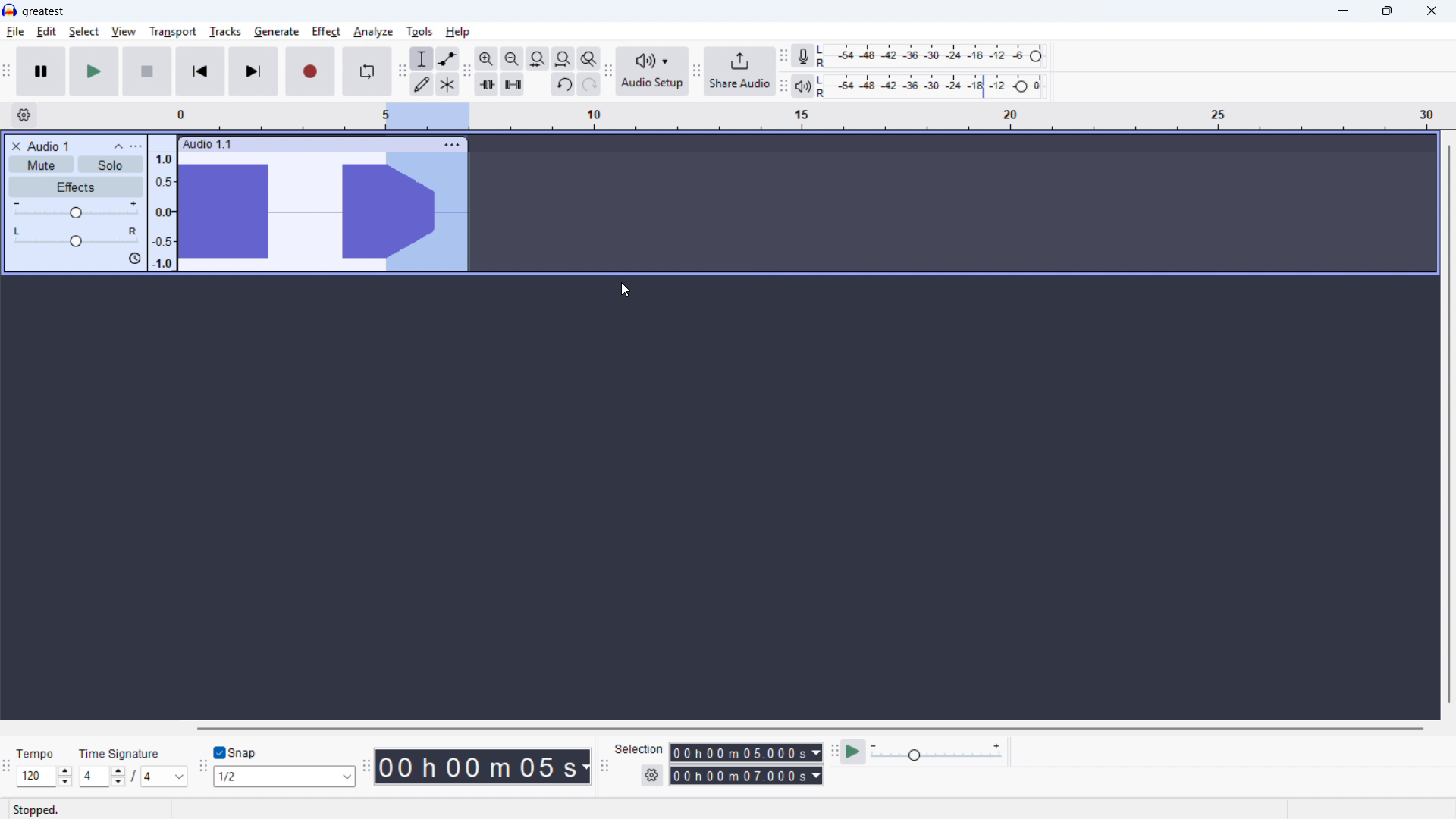 Image resolution: width=1456 pixels, height=819 pixels. I want to click on , so click(119, 754).